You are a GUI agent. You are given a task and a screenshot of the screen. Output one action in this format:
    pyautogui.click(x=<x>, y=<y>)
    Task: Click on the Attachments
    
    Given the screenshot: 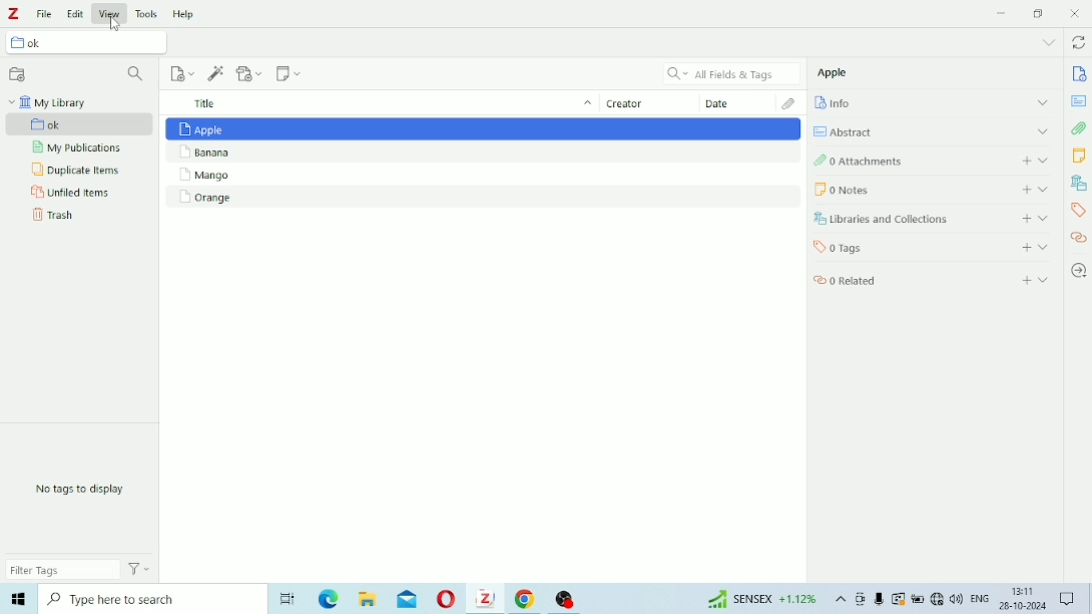 What is the action you would take?
    pyautogui.click(x=1080, y=129)
    